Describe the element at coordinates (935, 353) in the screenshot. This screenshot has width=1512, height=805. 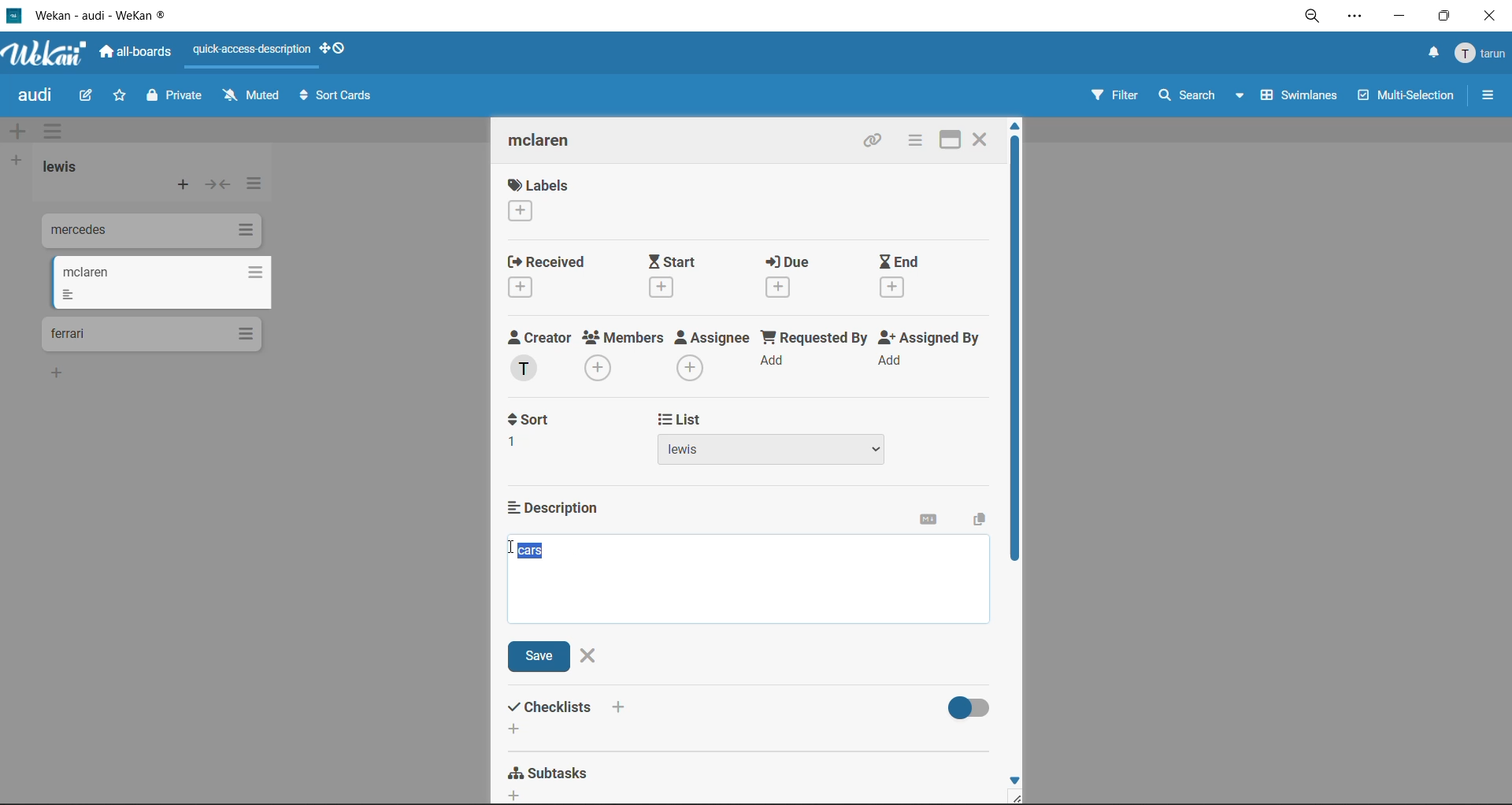
I see `assigned by` at that location.